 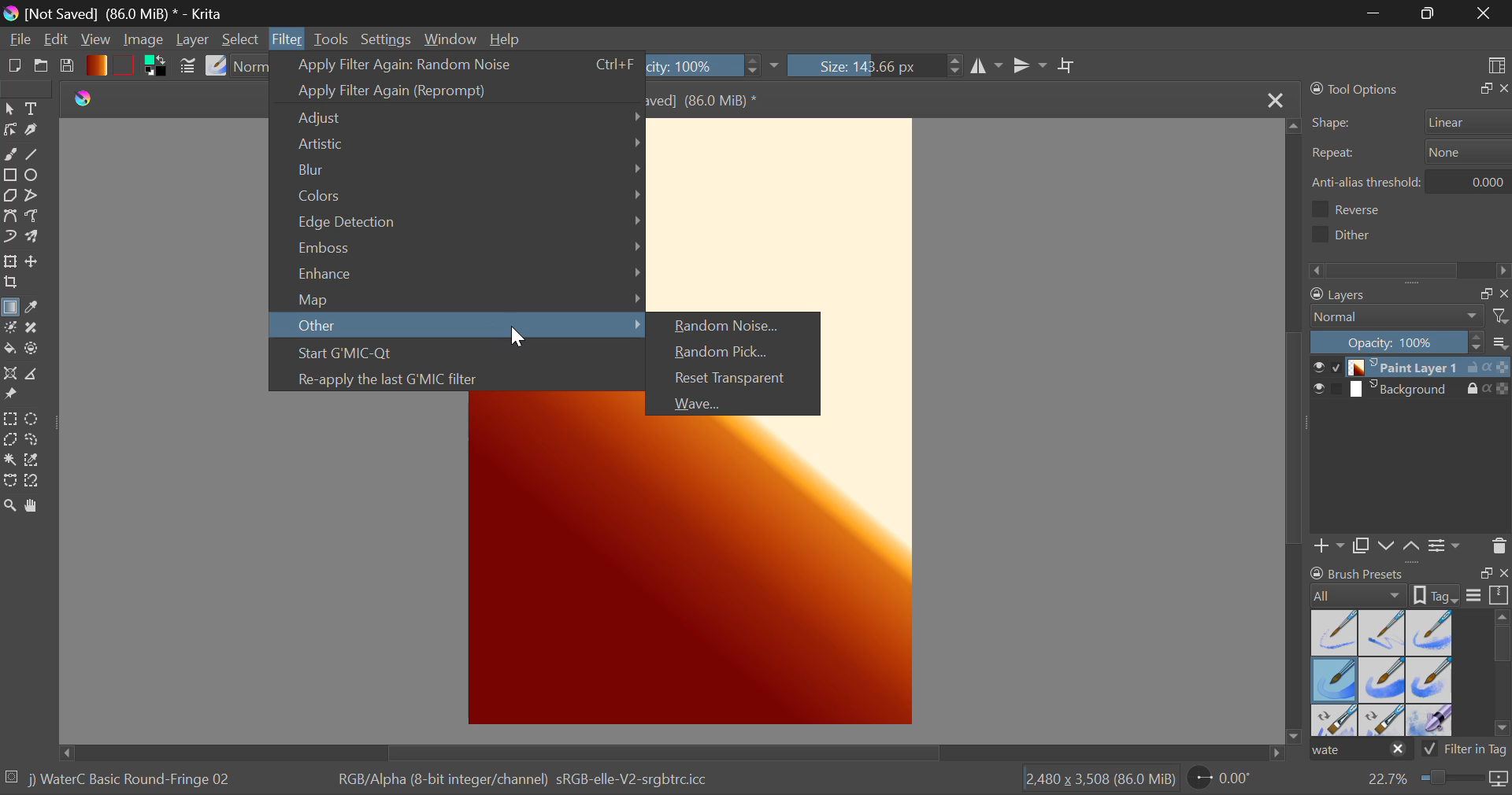 What do you see at coordinates (1347, 234) in the screenshot?
I see `dither` at bounding box center [1347, 234].